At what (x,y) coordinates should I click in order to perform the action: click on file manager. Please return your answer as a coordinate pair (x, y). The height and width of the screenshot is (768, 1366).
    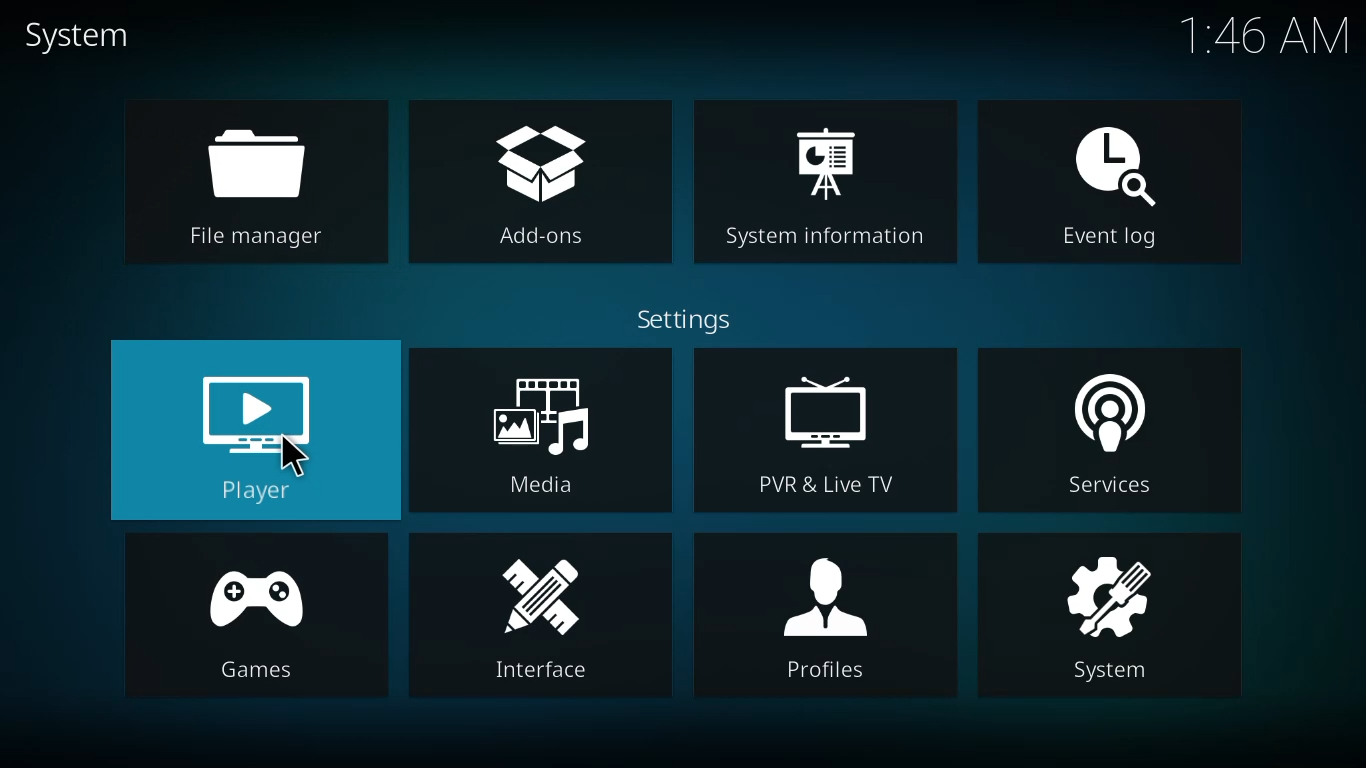
    Looking at the image, I should click on (249, 185).